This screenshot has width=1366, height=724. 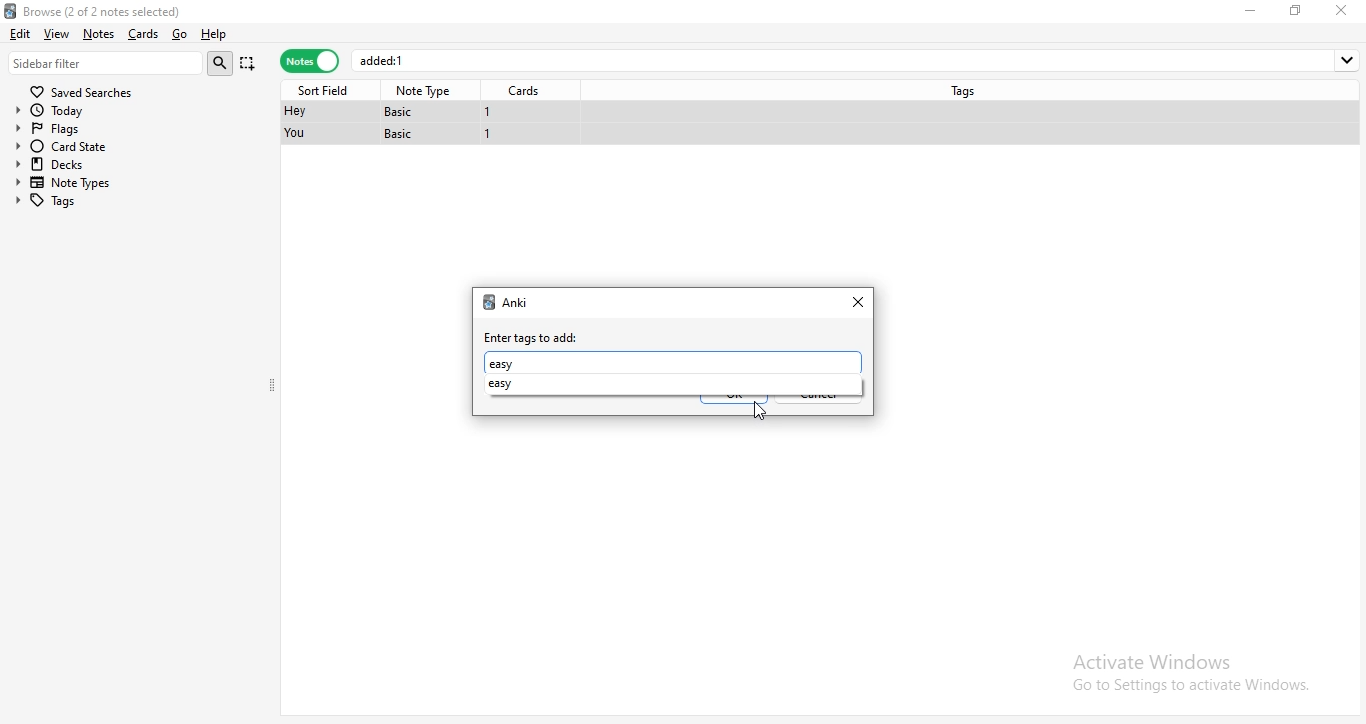 What do you see at coordinates (65, 200) in the screenshot?
I see `tags` at bounding box center [65, 200].